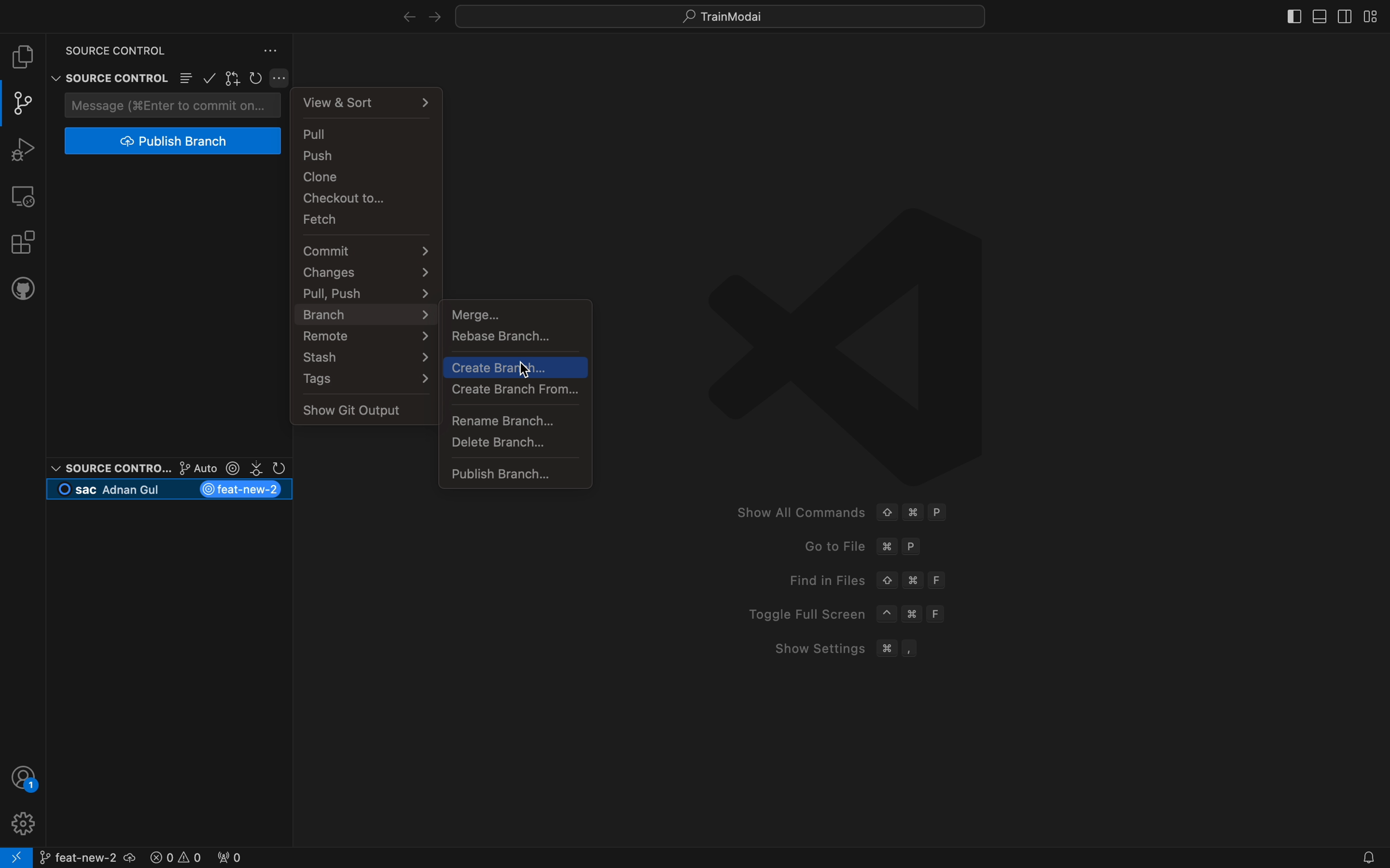  Describe the element at coordinates (22, 241) in the screenshot. I see `extensions` at that location.